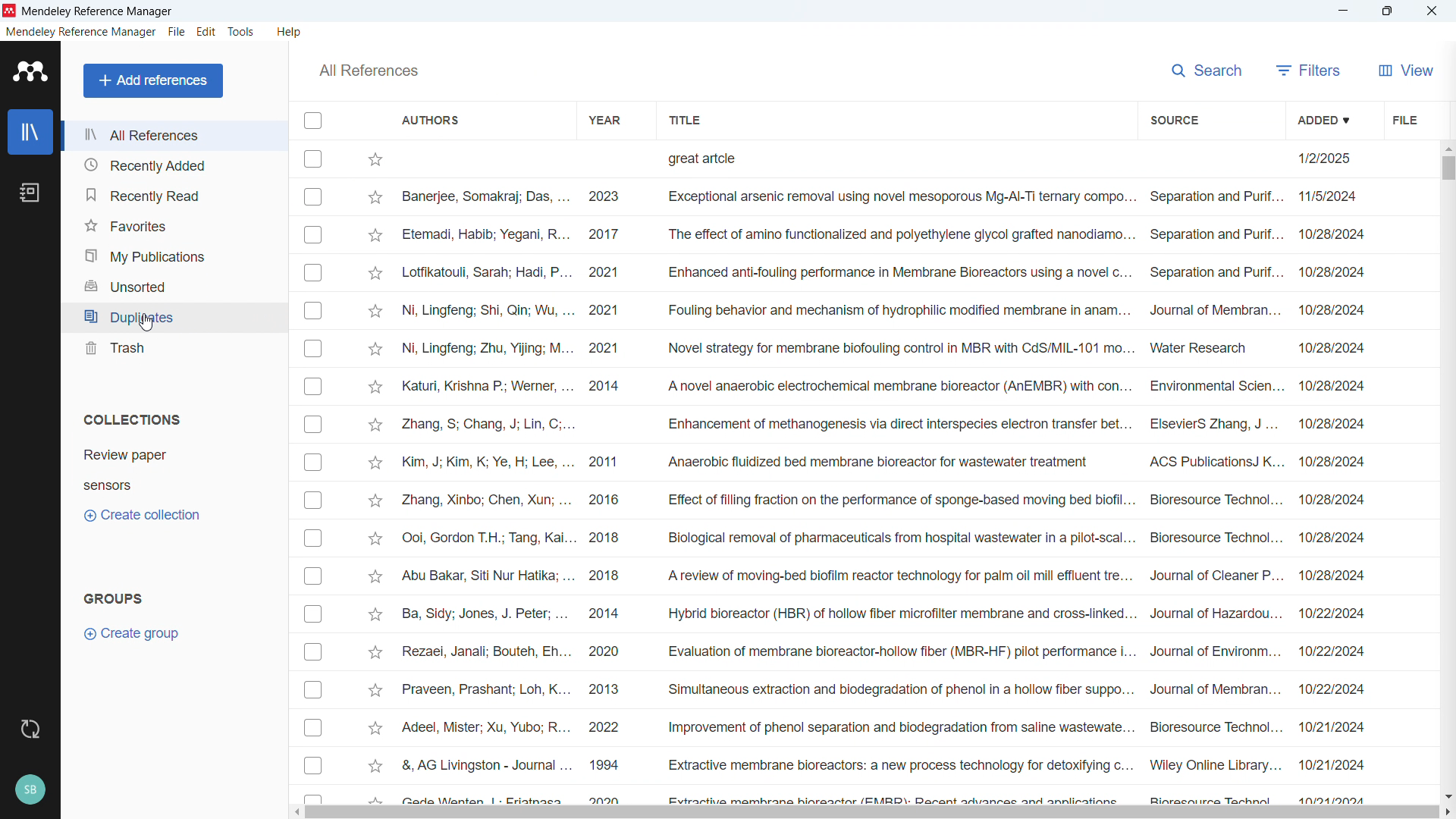 The height and width of the screenshot is (819, 1456). What do you see at coordinates (427, 120) in the screenshot?
I see `Sort by authors ` at bounding box center [427, 120].